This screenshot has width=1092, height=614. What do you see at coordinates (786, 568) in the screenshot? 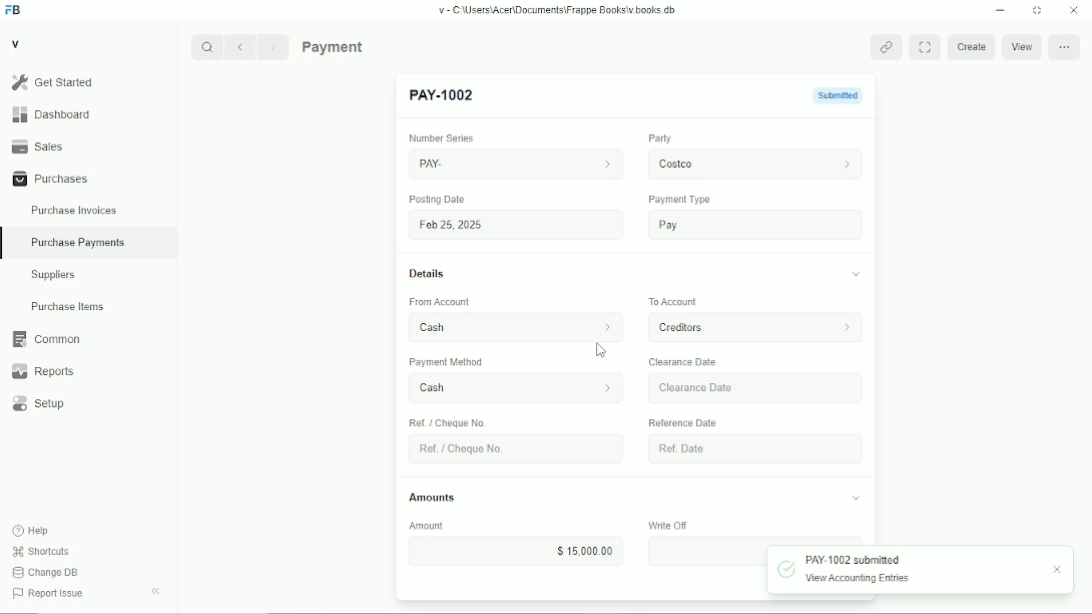
I see `tick mark` at bounding box center [786, 568].